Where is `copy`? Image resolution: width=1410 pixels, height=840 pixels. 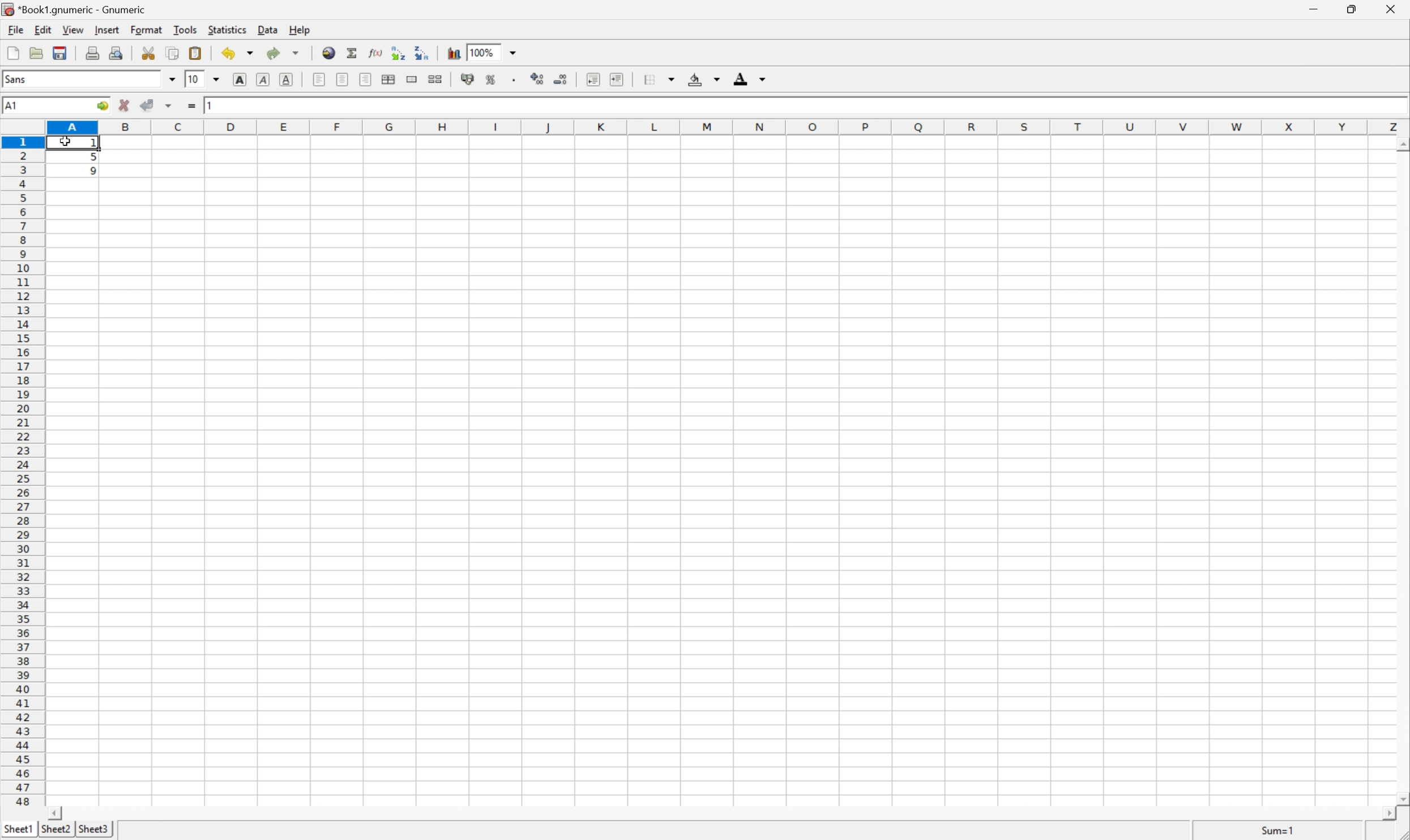
copy is located at coordinates (172, 53).